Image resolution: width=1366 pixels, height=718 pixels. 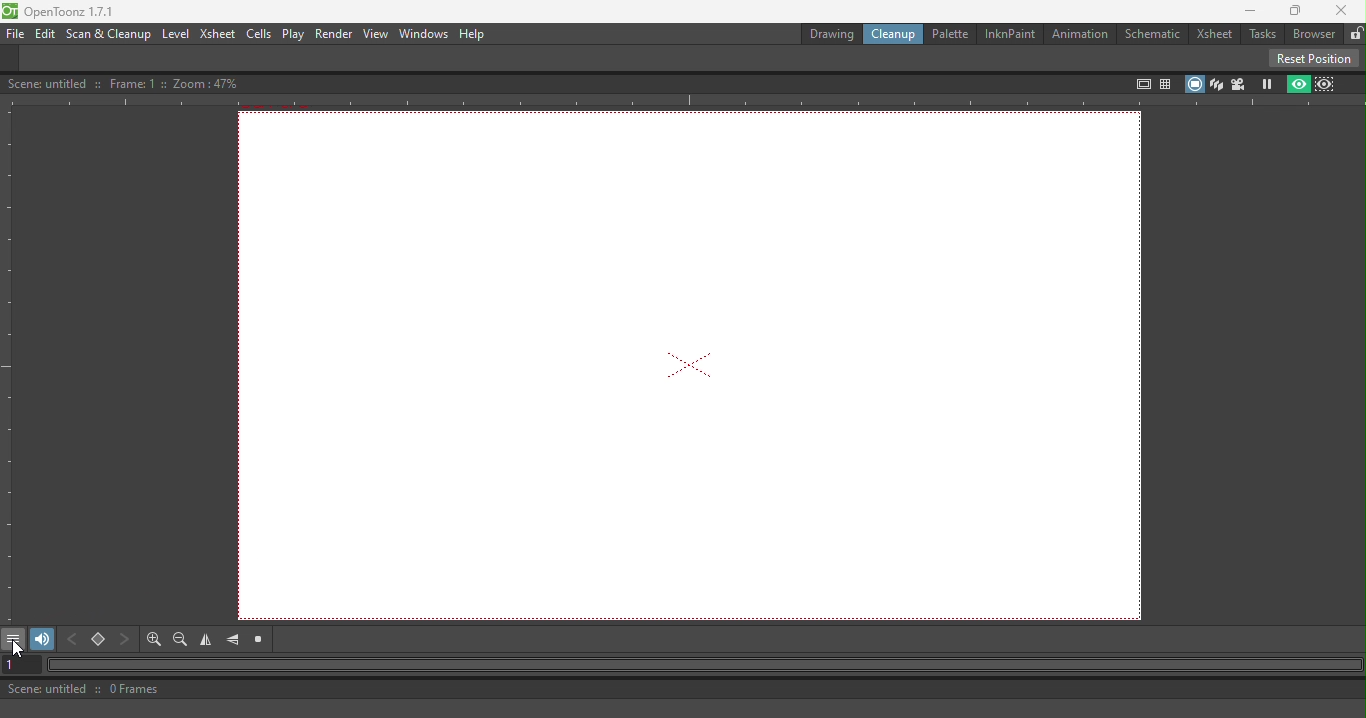 What do you see at coordinates (16, 640) in the screenshot?
I see `More options` at bounding box center [16, 640].